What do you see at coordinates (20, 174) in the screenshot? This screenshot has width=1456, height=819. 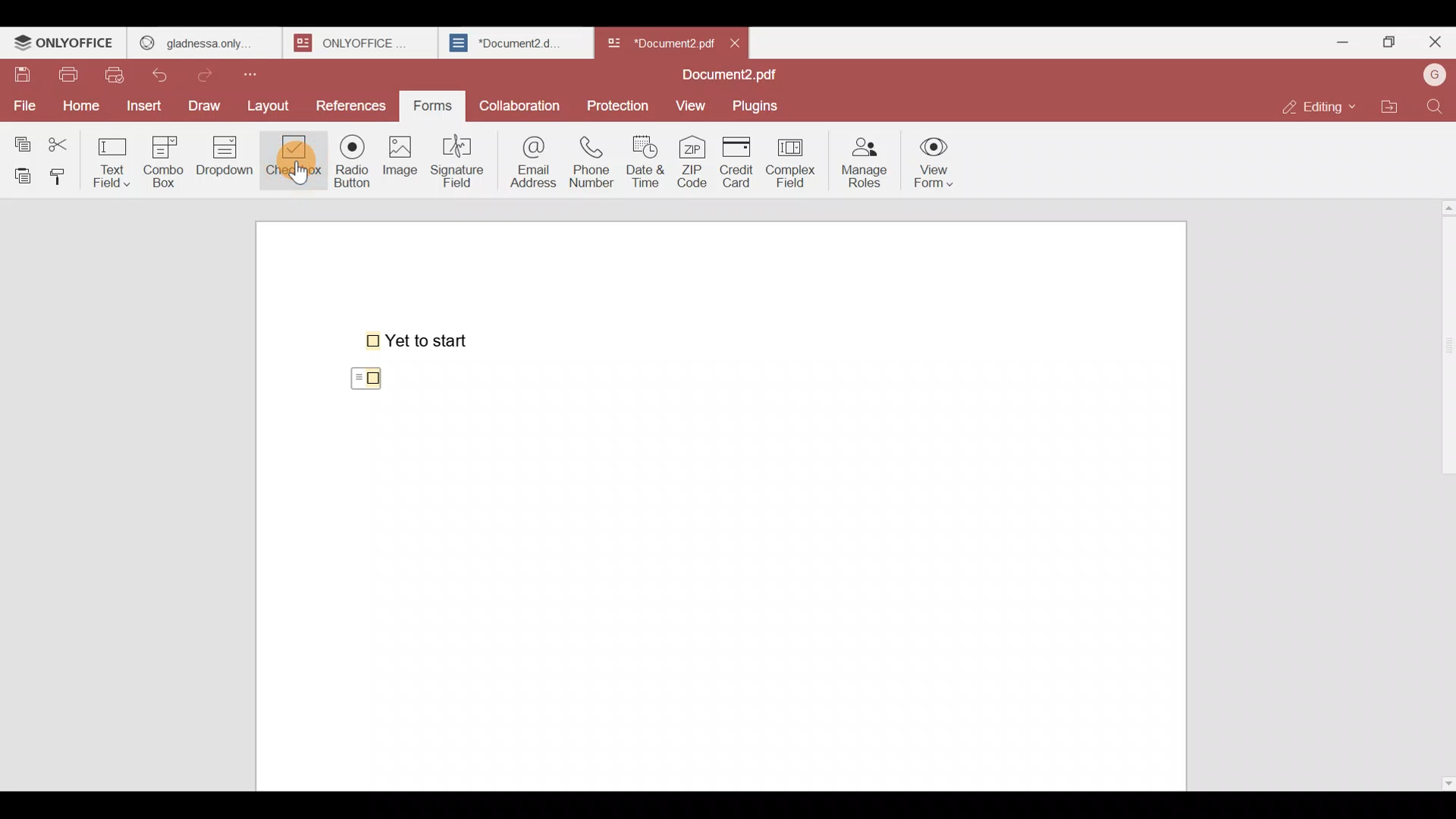 I see `Paste` at bounding box center [20, 174].